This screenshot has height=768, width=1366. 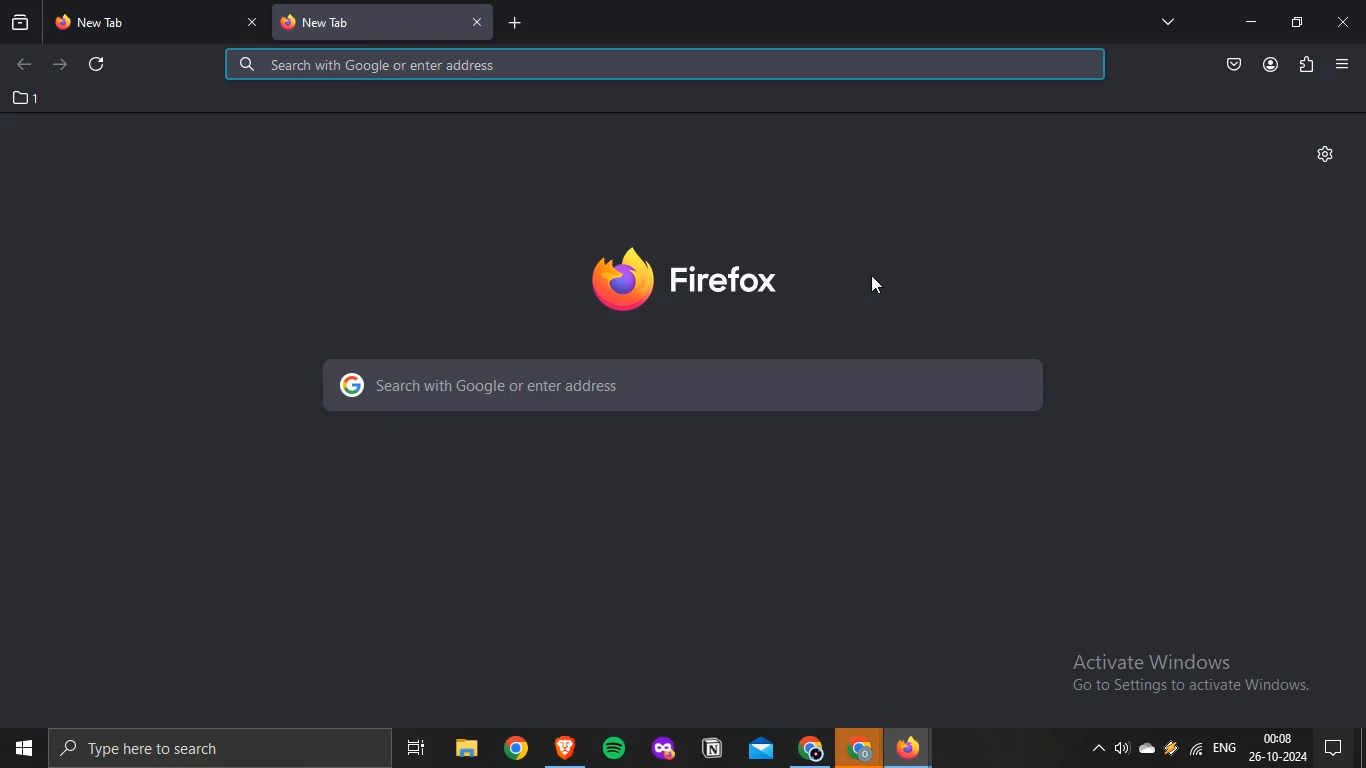 What do you see at coordinates (483, 23) in the screenshot?
I see `close tab` at bounding box center [483, 23].